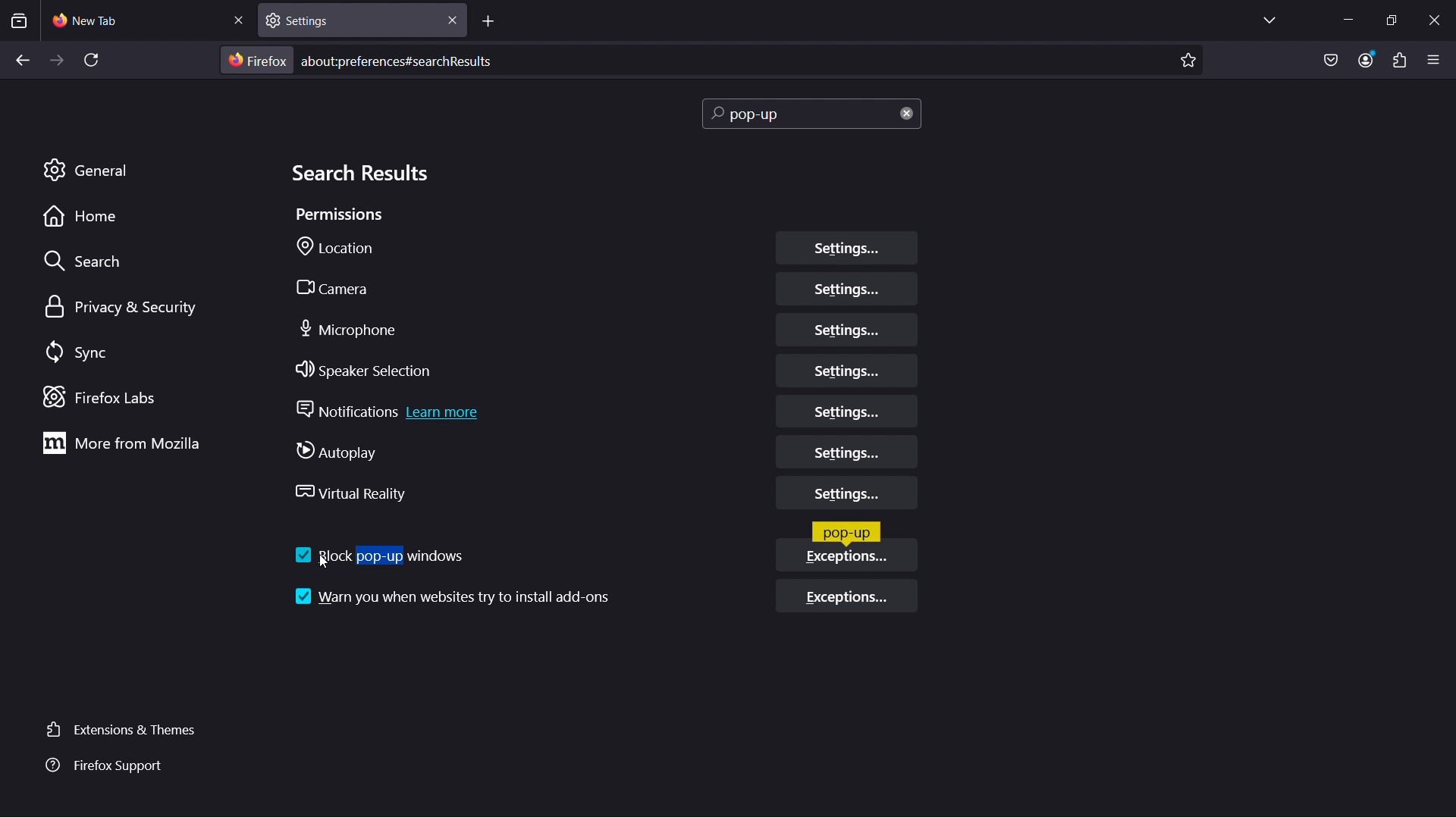 The height and width of the screenshot is (817, 1456). I want to click on Back, so click(18, 62).